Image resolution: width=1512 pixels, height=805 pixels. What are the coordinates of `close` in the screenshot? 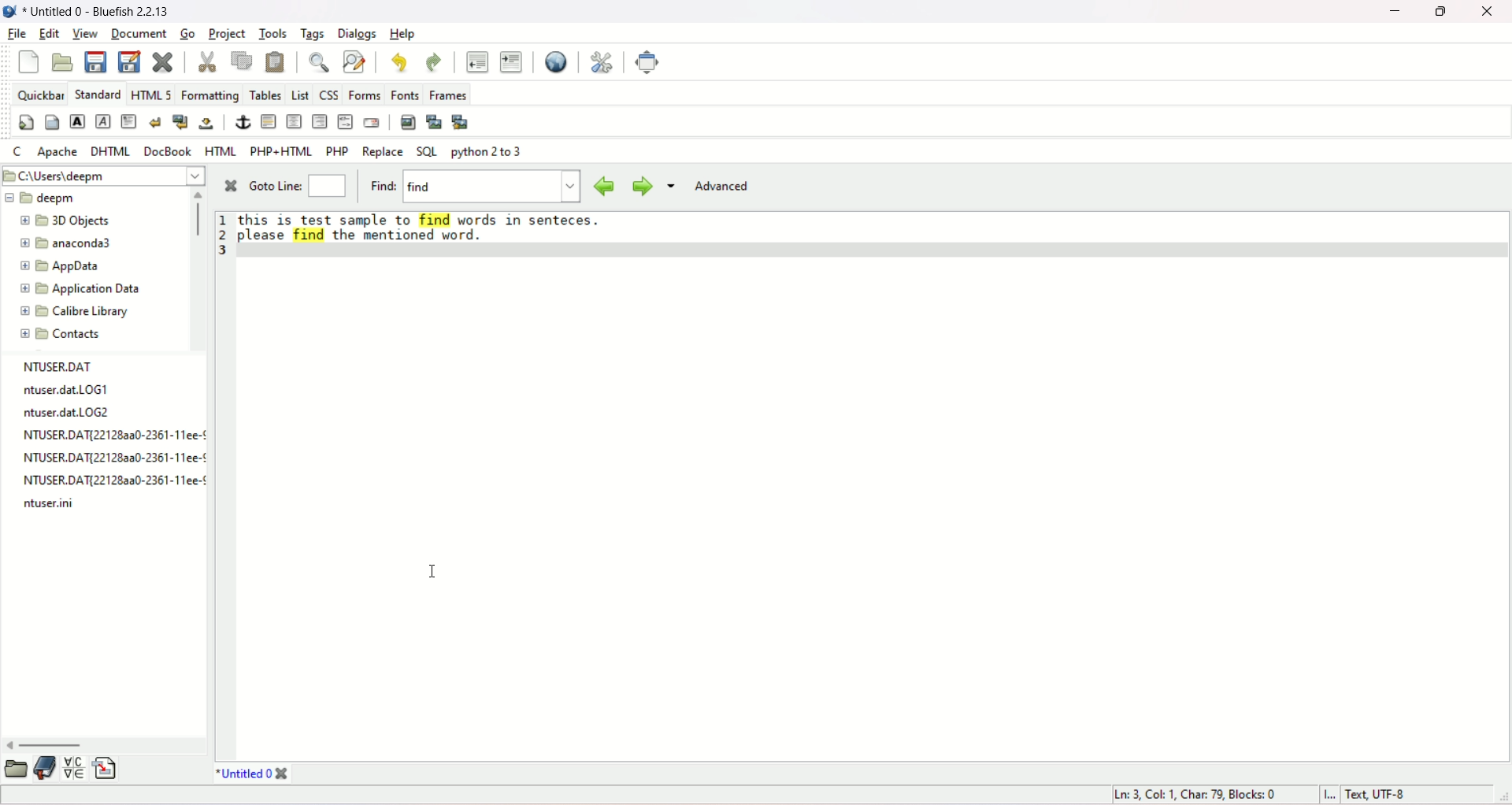 It's located at (1491, 12).